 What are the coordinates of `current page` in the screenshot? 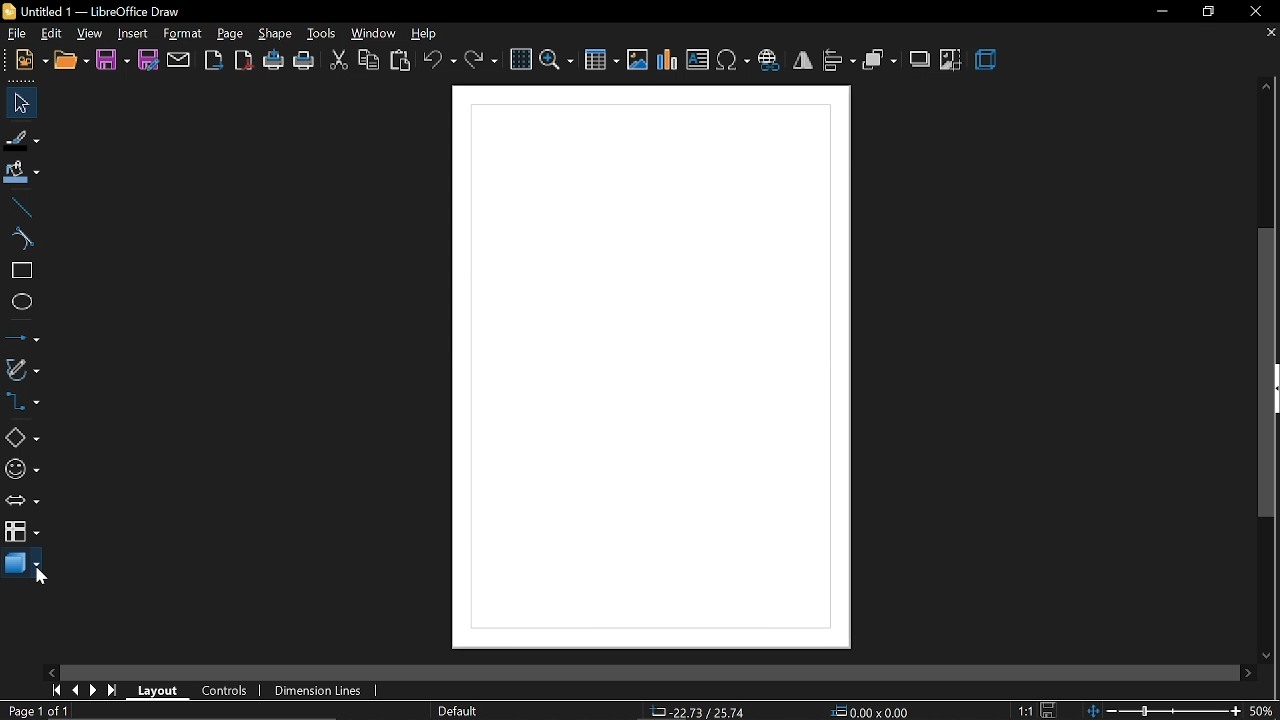 It's located at (39, 712).